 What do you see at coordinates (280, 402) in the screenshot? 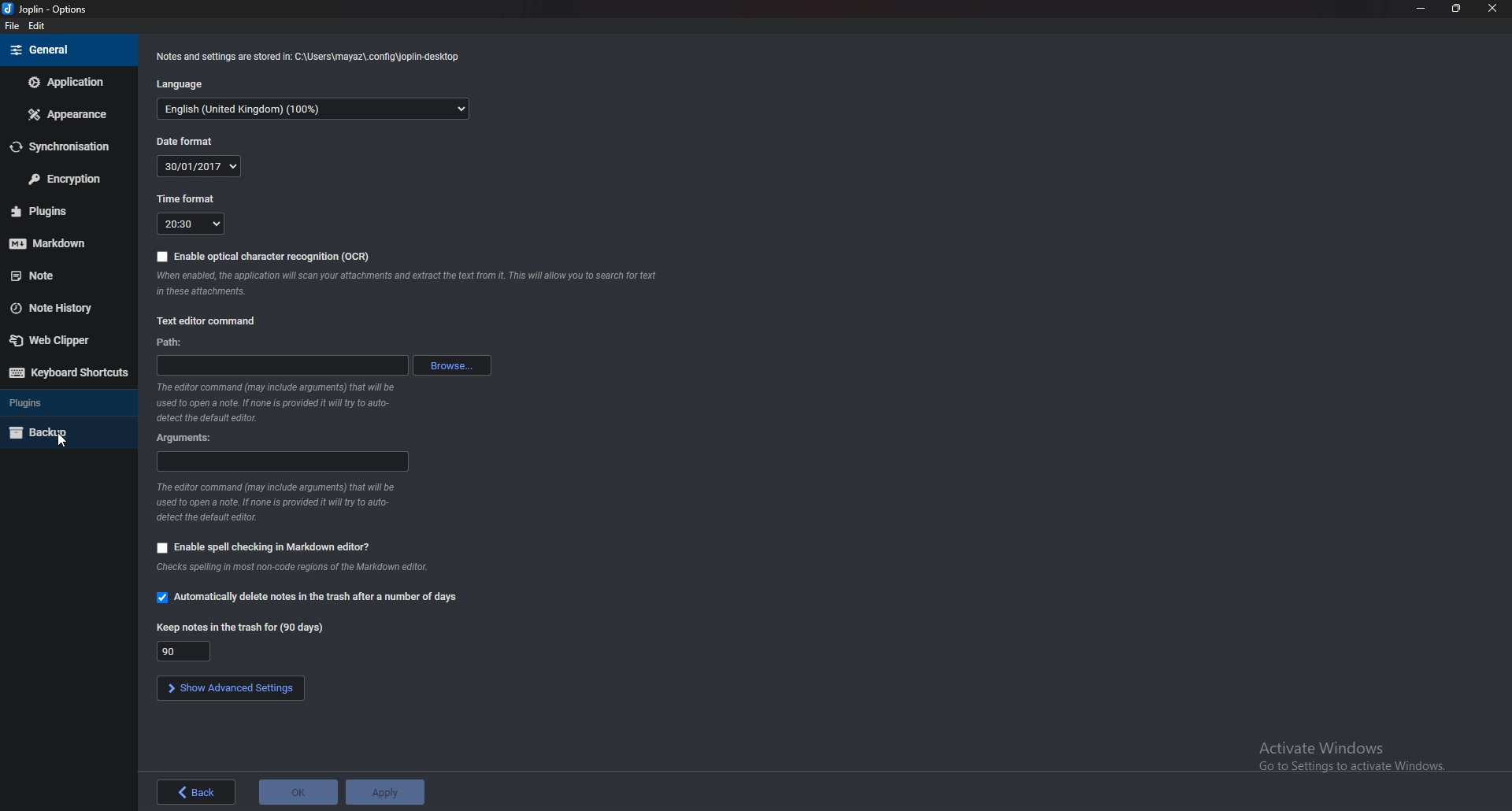
I see `Info` at bounding box center [280, 402].